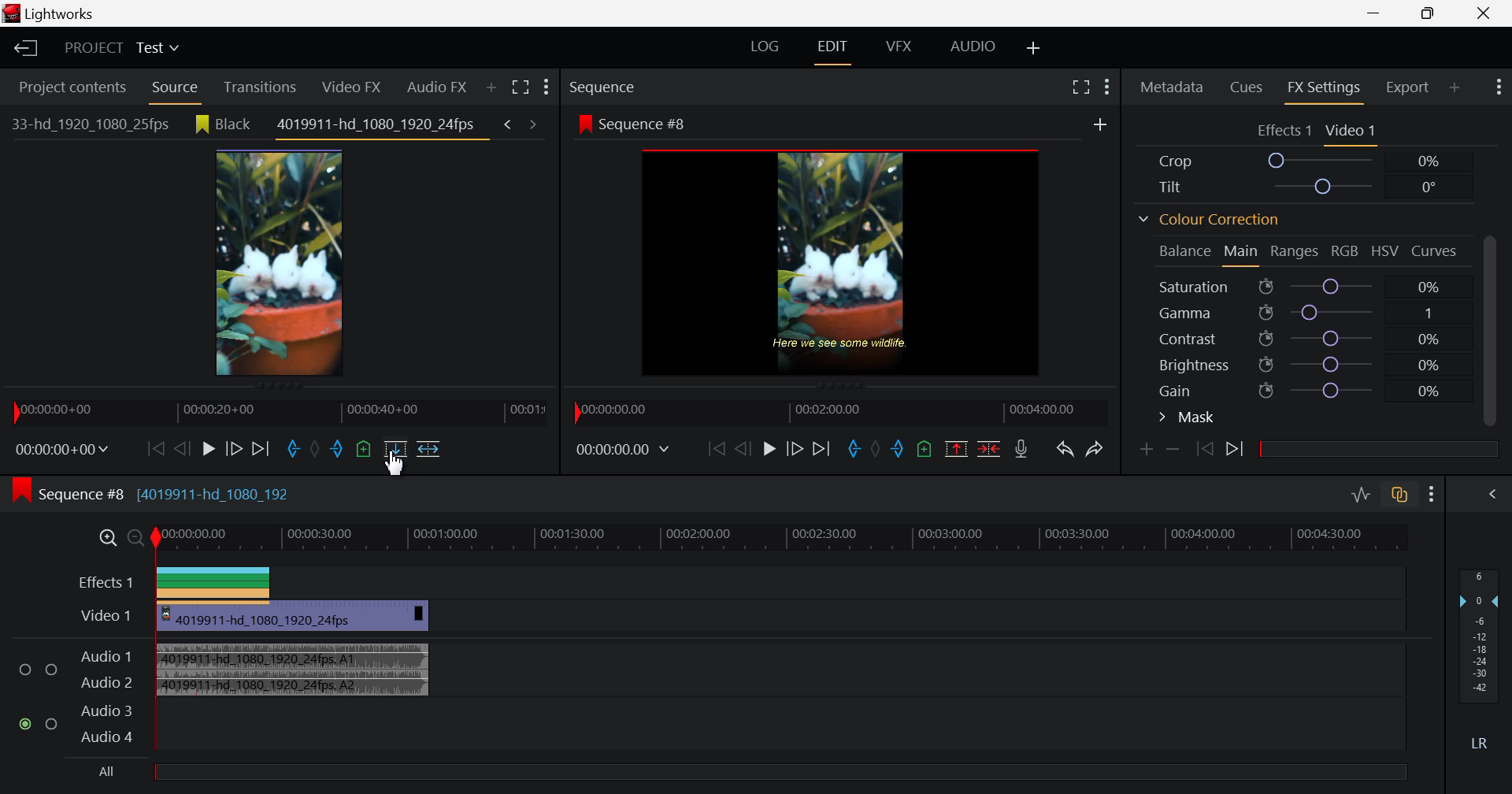 The image size is (1512, 794). I want to click on Minimize, so click(1429, 13).